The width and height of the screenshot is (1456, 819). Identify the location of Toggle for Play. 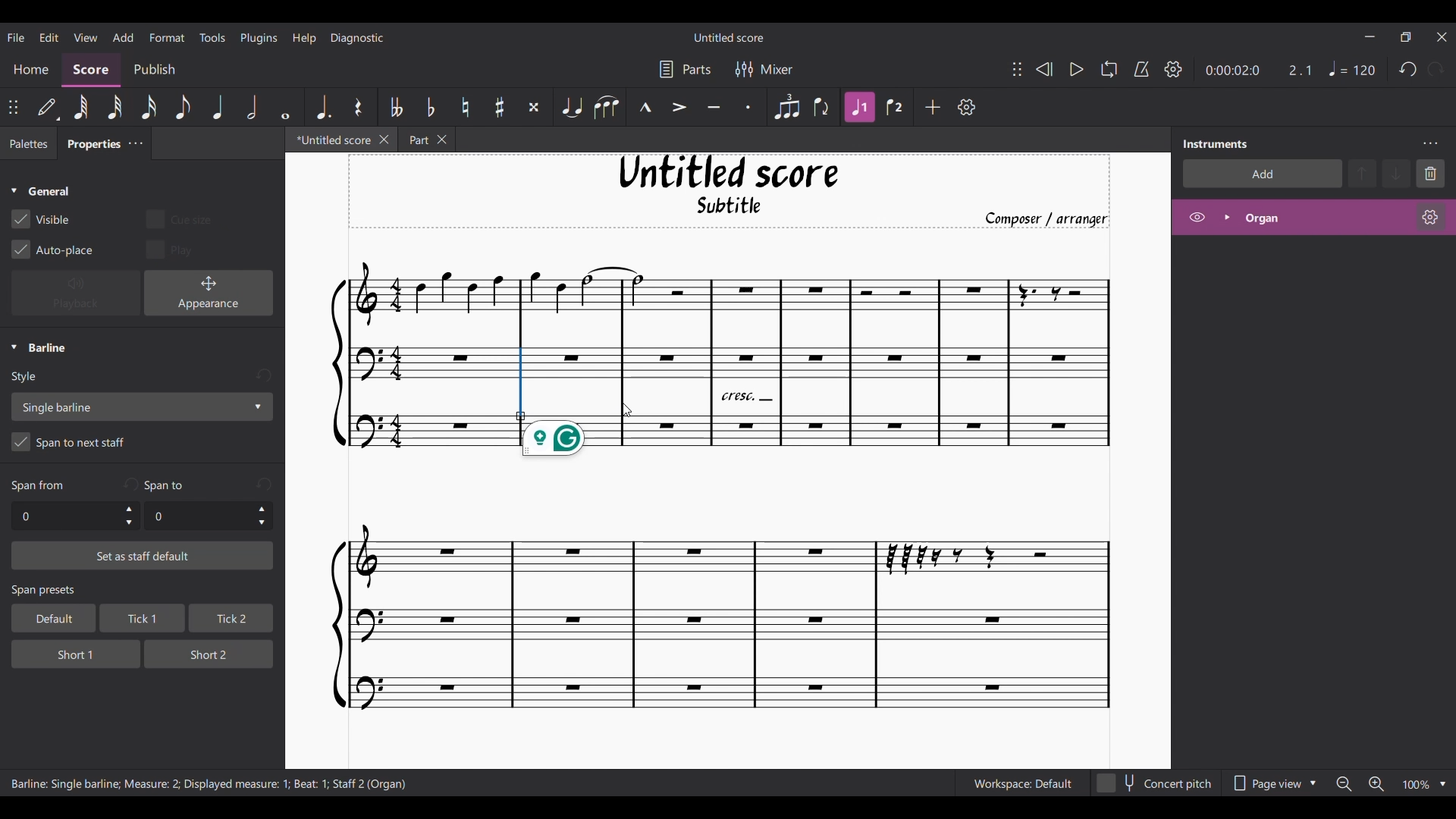
(171, 249).